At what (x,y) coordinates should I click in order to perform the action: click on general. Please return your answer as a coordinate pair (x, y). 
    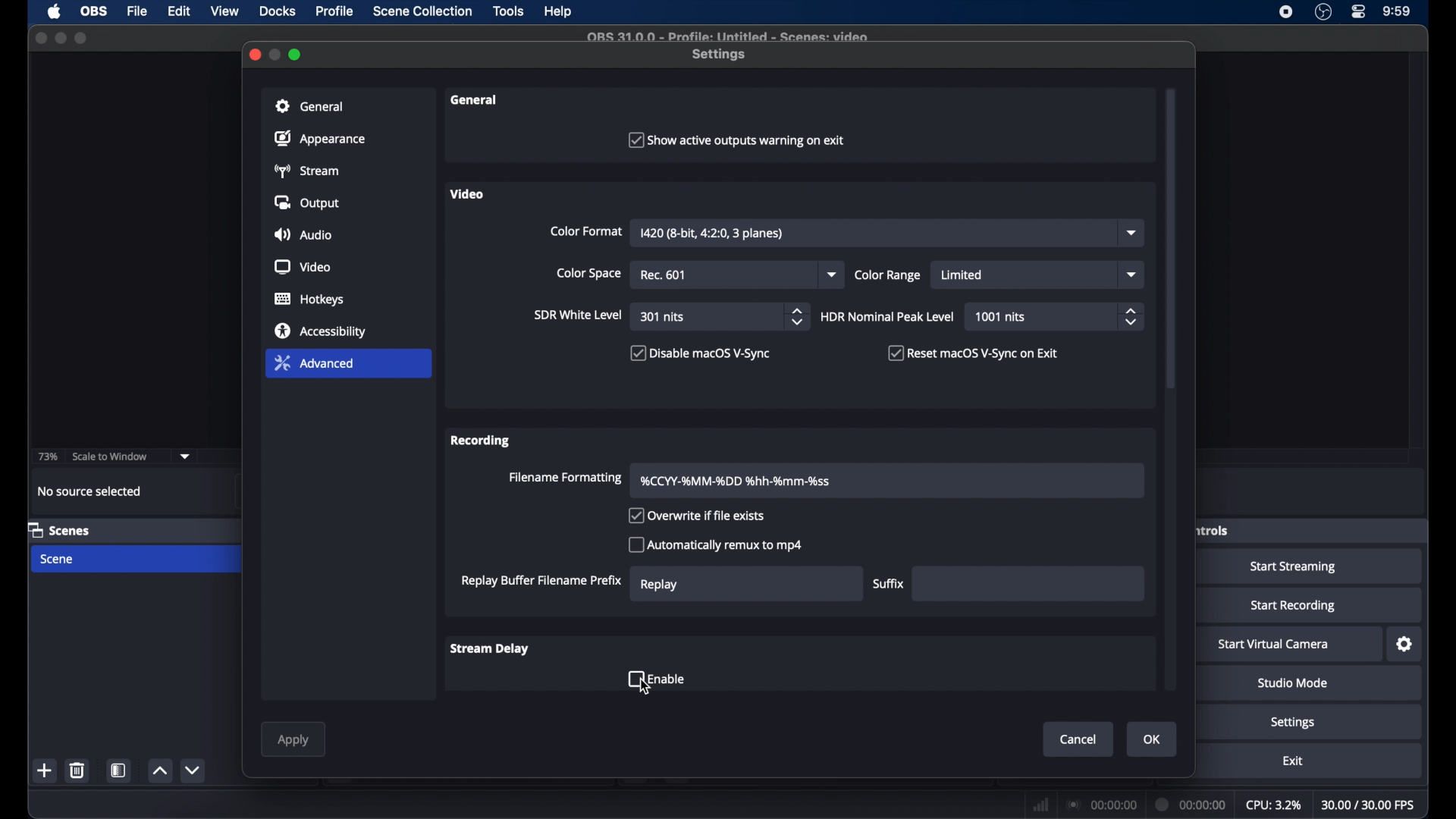
    Looking at the image, I should click on (309, 105).